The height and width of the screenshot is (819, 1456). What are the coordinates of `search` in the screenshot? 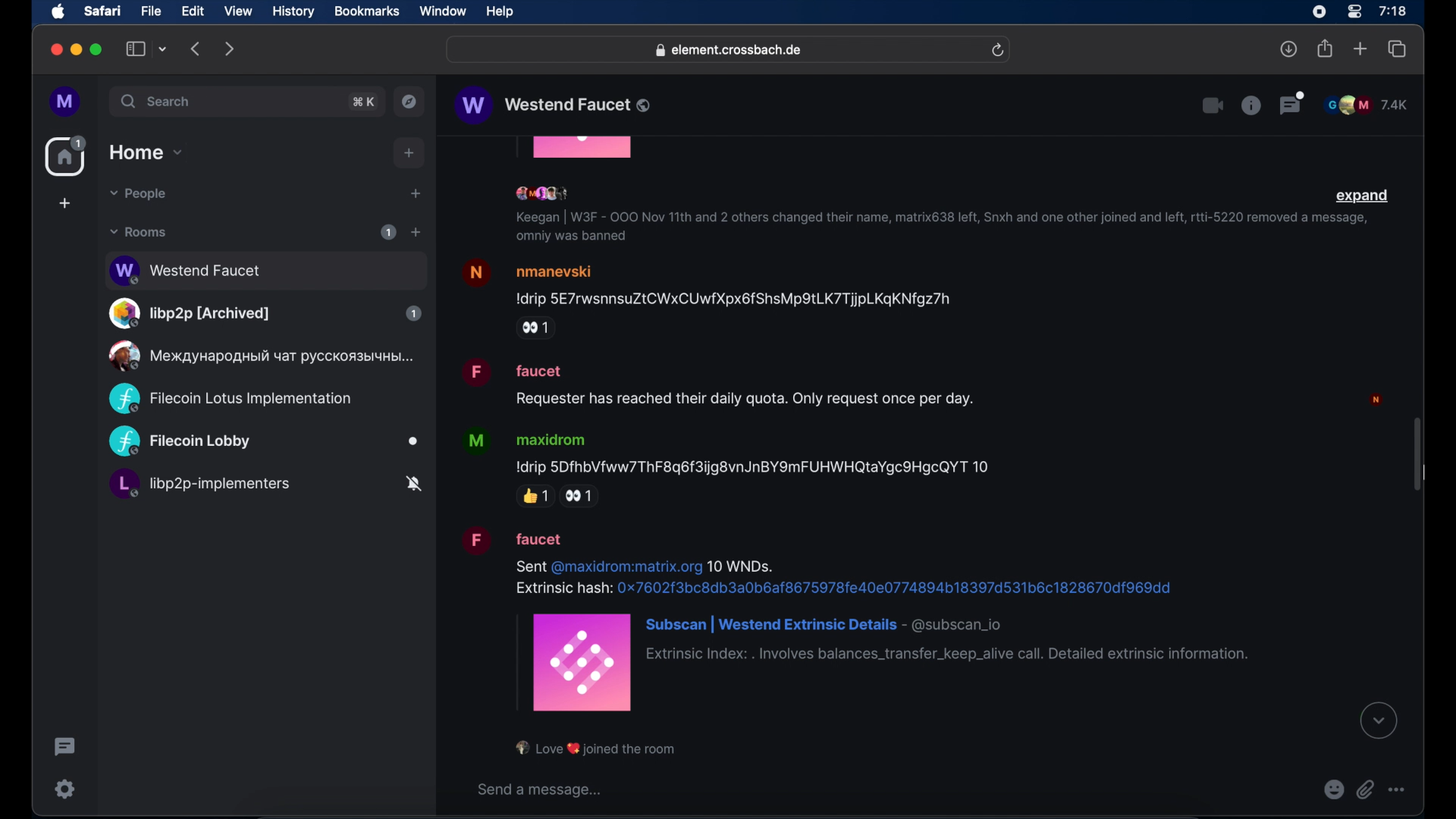 It's located at (157, 101).